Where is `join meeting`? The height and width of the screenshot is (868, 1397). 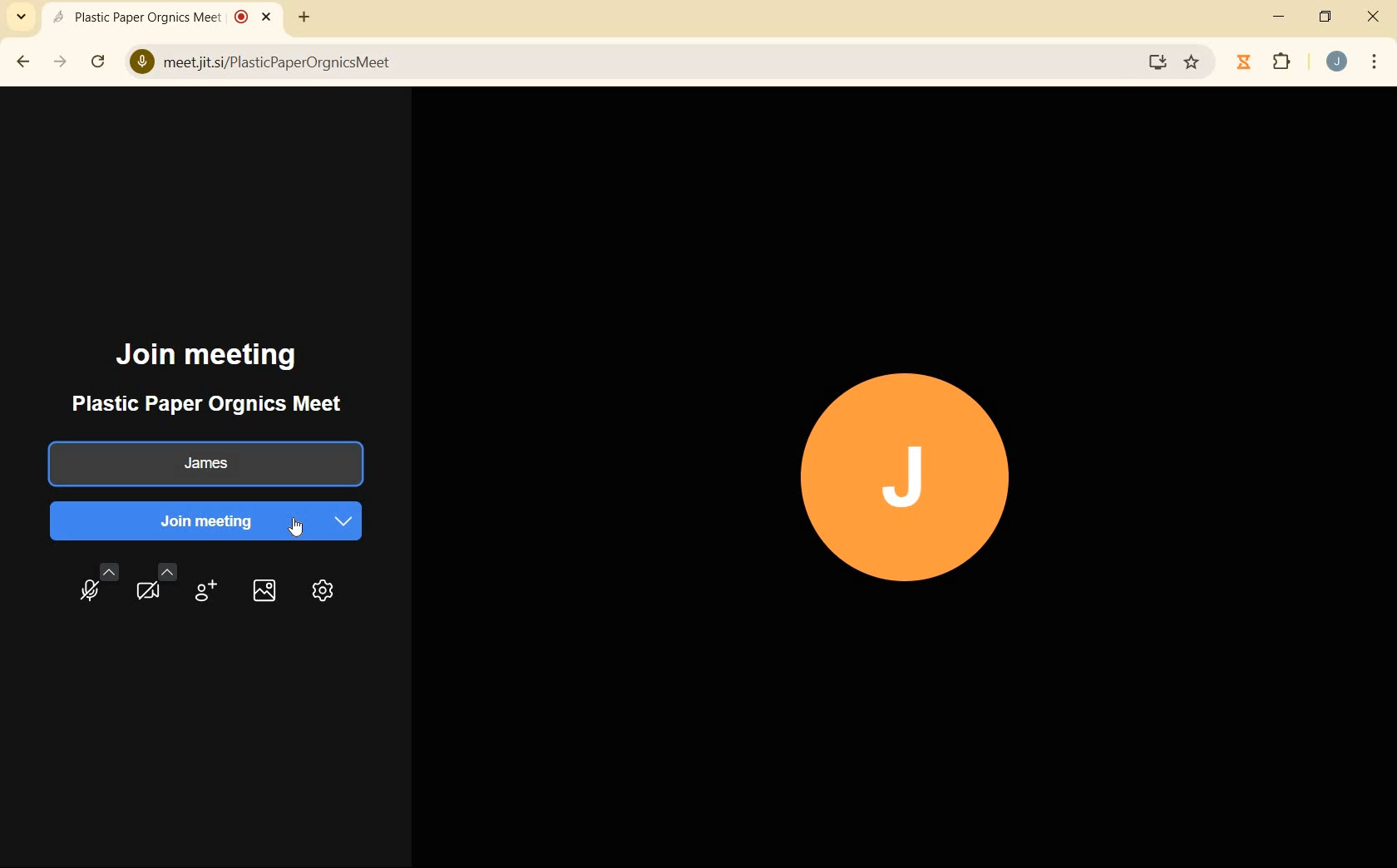 join meeting is located at coordinates (203, 520).